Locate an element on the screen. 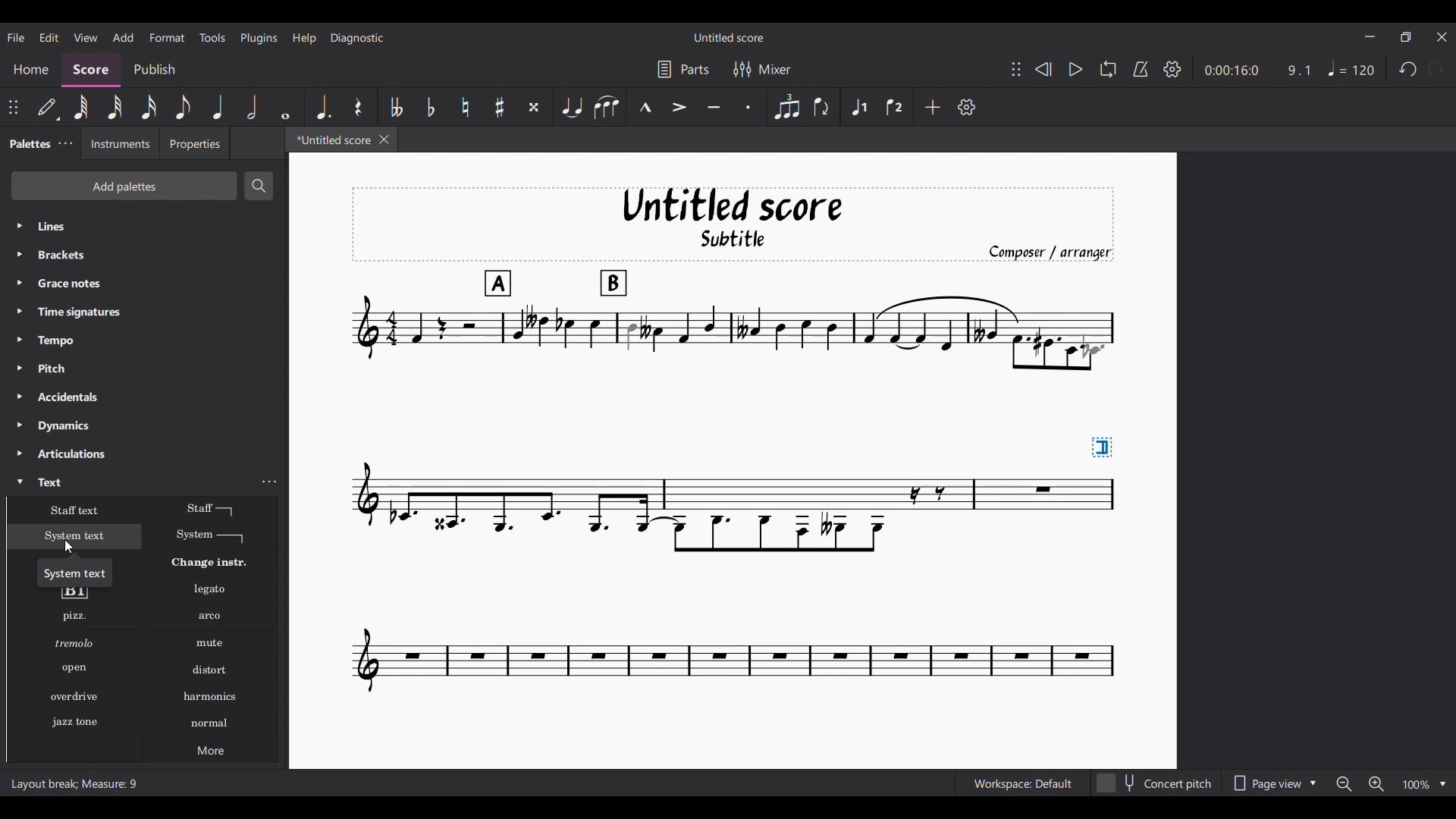 This screenshot has width=1456, height=819. Toggle flat is located at coordinates (431, 107).